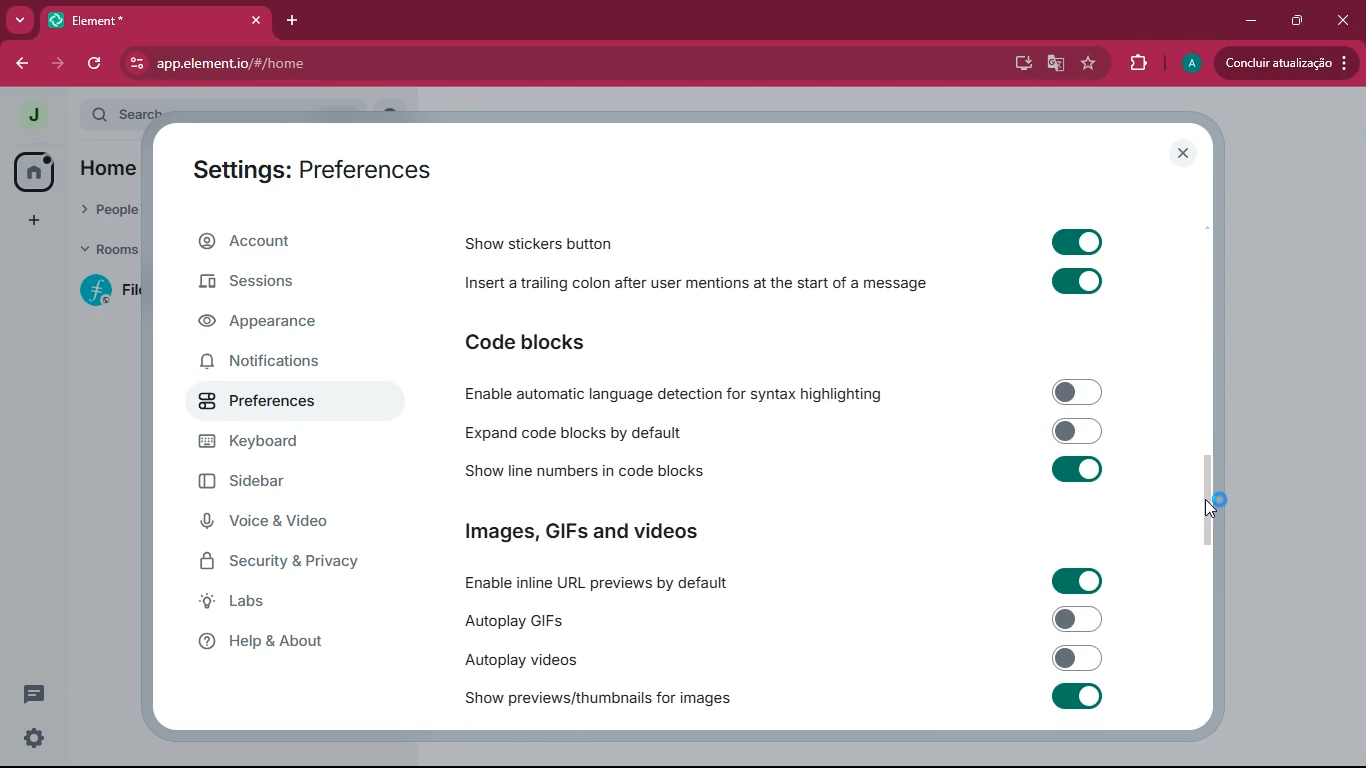 The height and width of the screenshot is (768, 1366). Describe the element at coordinates (36, 116) in the screenshot. I see `profile picture` at that location.